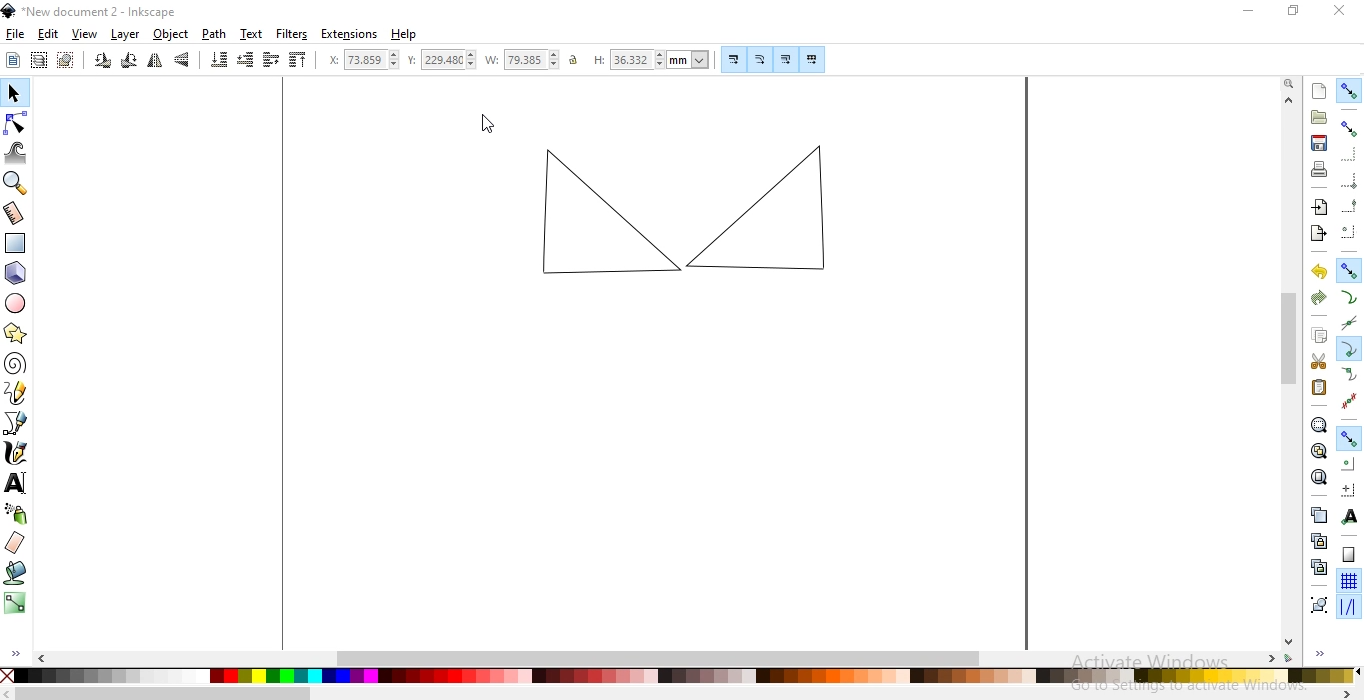 This screenshot has height=700, width=1364. What do you see at coordinates (15, 212) in the screenshot?
I see `measurement tool` at bounding box center [15, 212].